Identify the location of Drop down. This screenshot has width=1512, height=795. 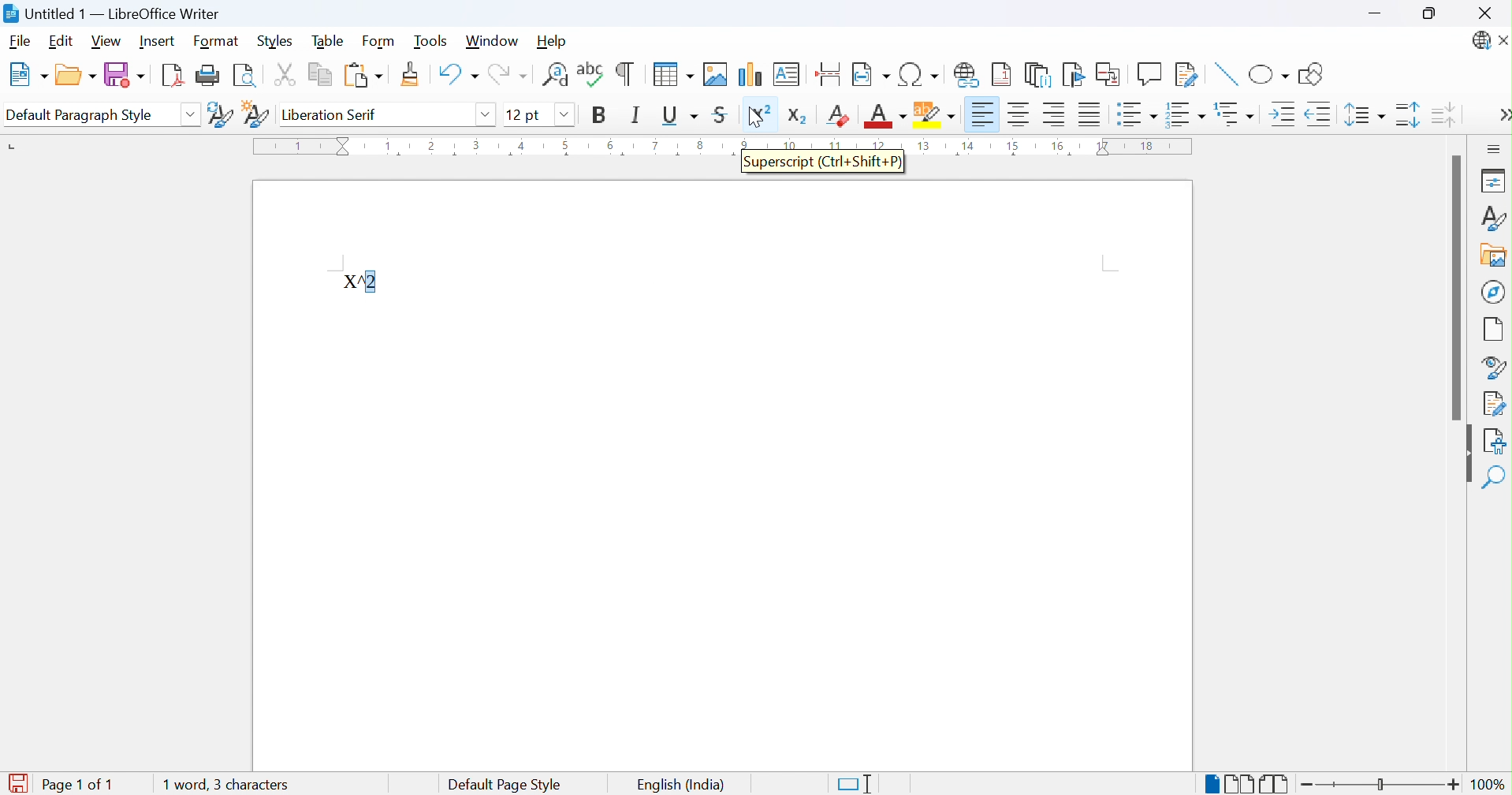
(191, 117).